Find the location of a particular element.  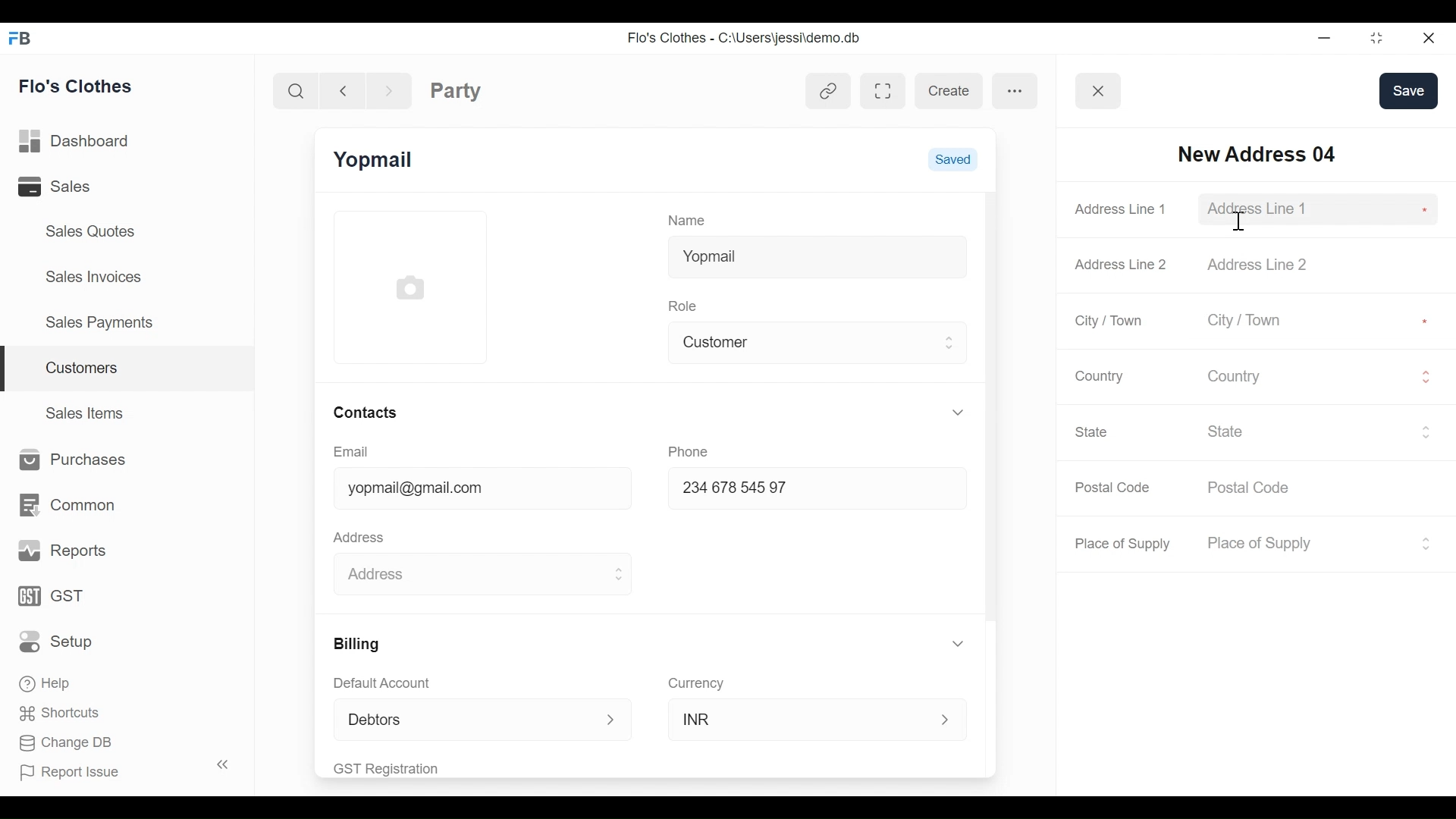

Address Line 2 is located at coordinates (1265, 264).